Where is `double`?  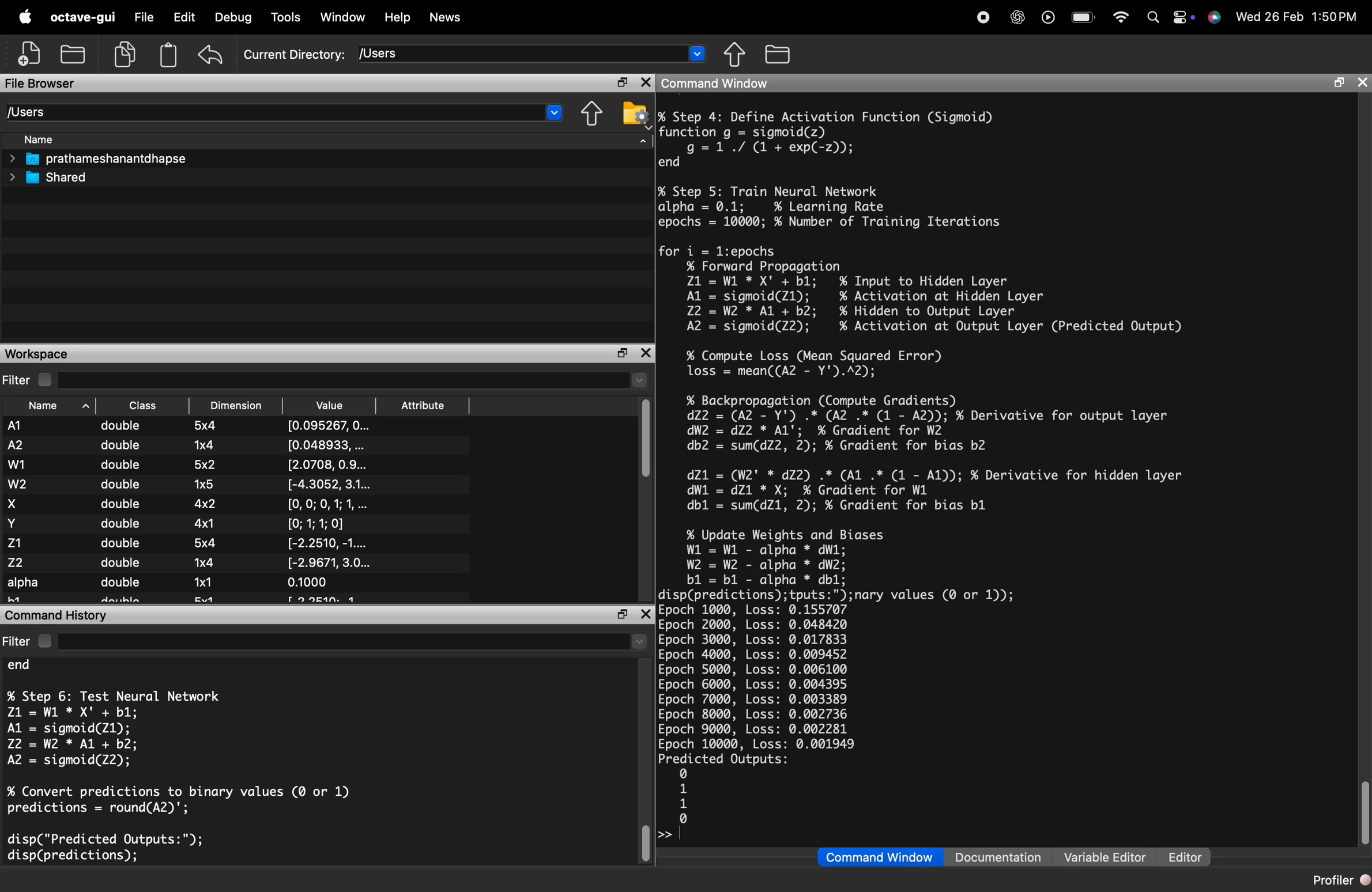 double is located at coordinates (122, 583).